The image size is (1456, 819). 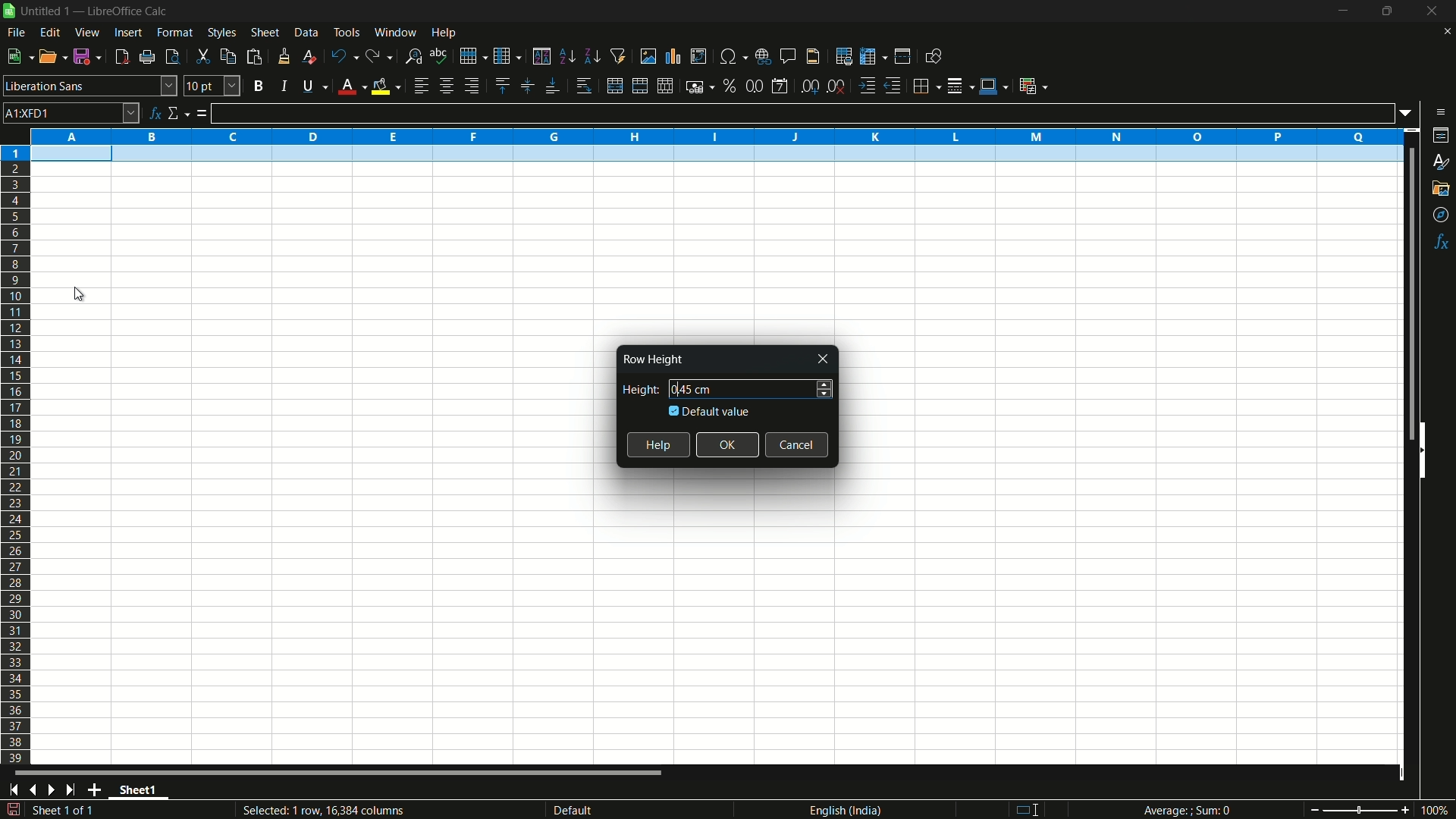 What do you see at coordinates (566, 57) in the screenshot?
I see `sort ascending` at bounding box center [566, 57].